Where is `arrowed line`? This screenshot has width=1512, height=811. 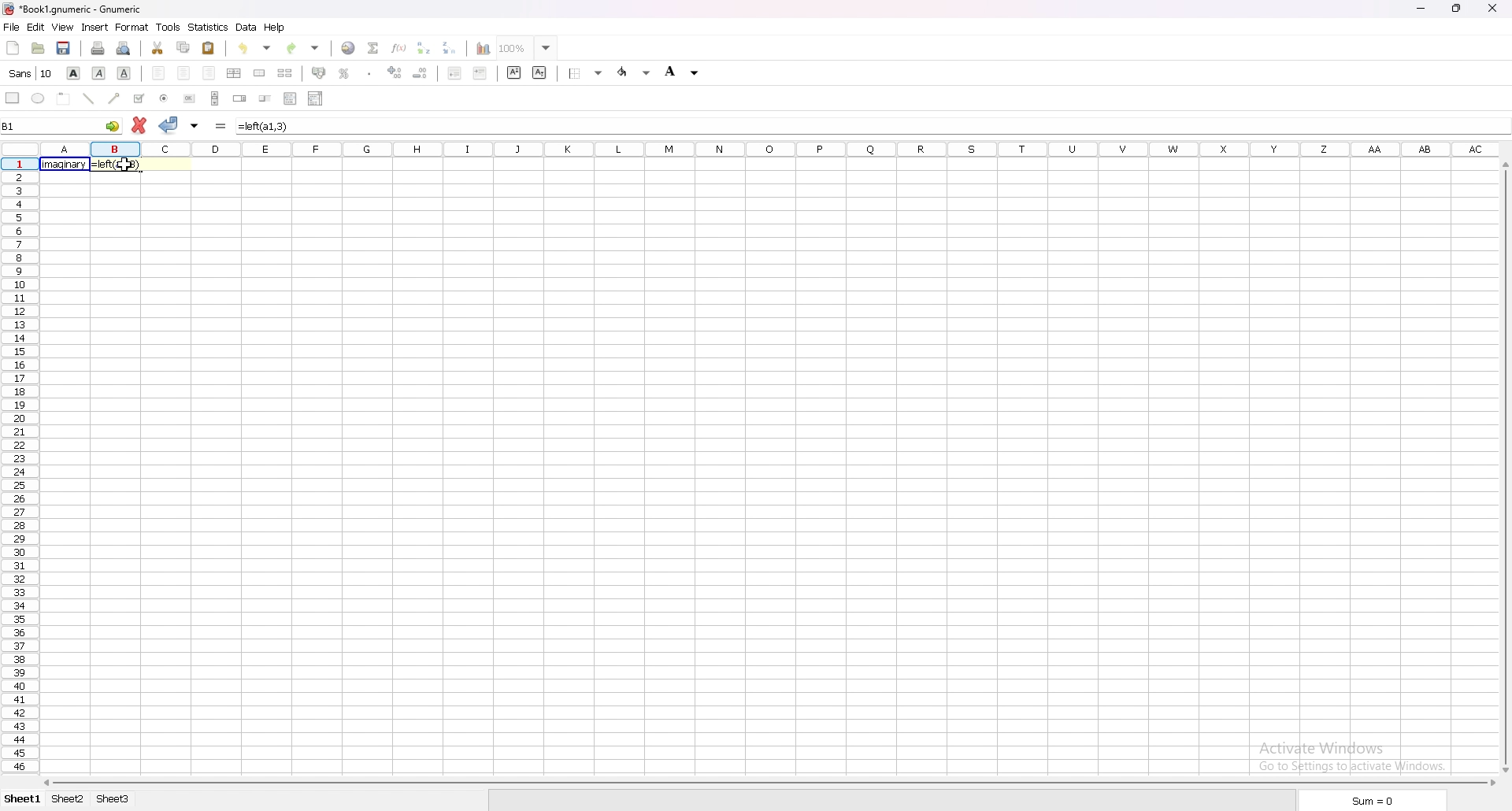
arrowed line is located at coordinates (114, 99).